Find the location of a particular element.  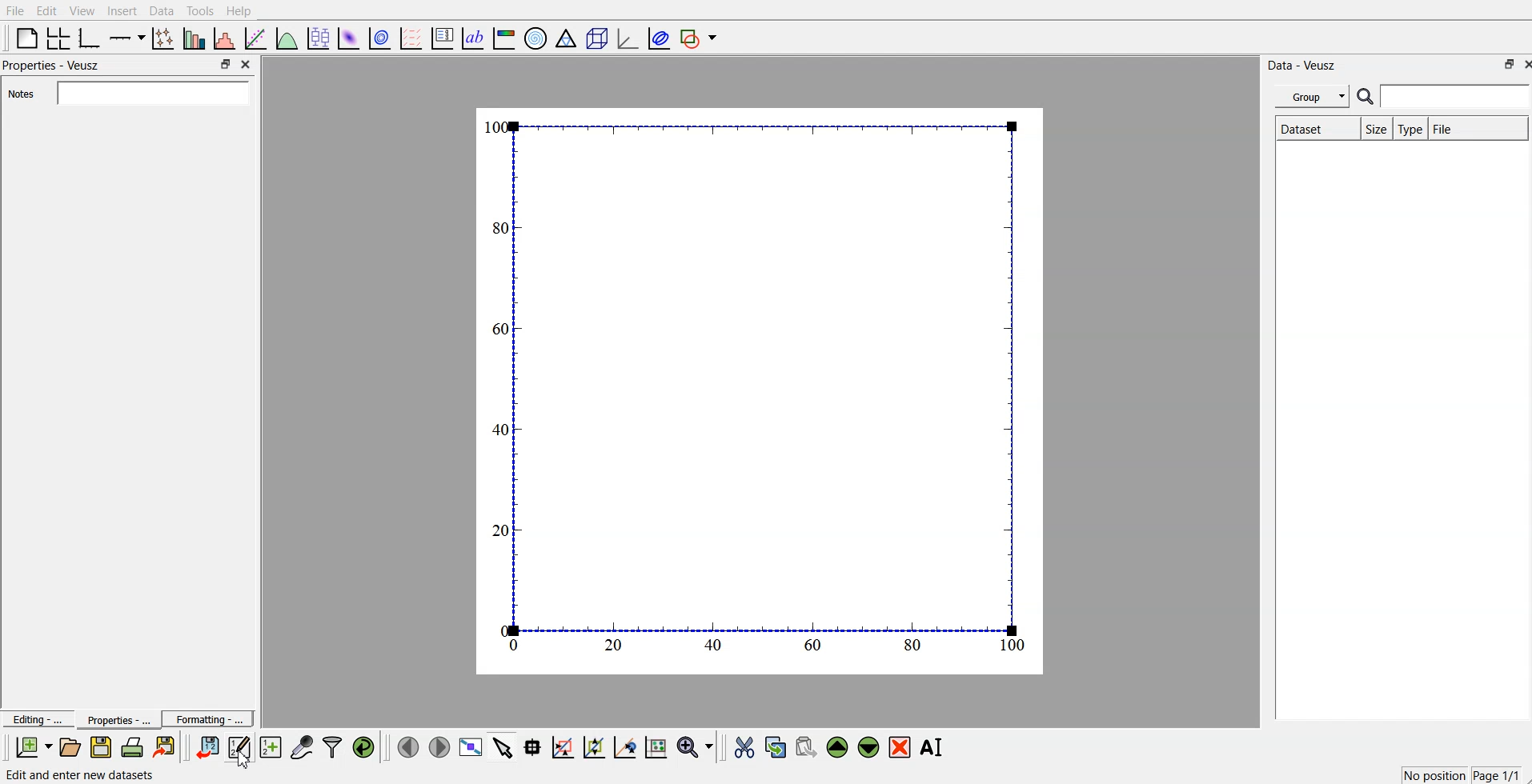

Edit and enter new dataset is located at coordinates (237, 747).